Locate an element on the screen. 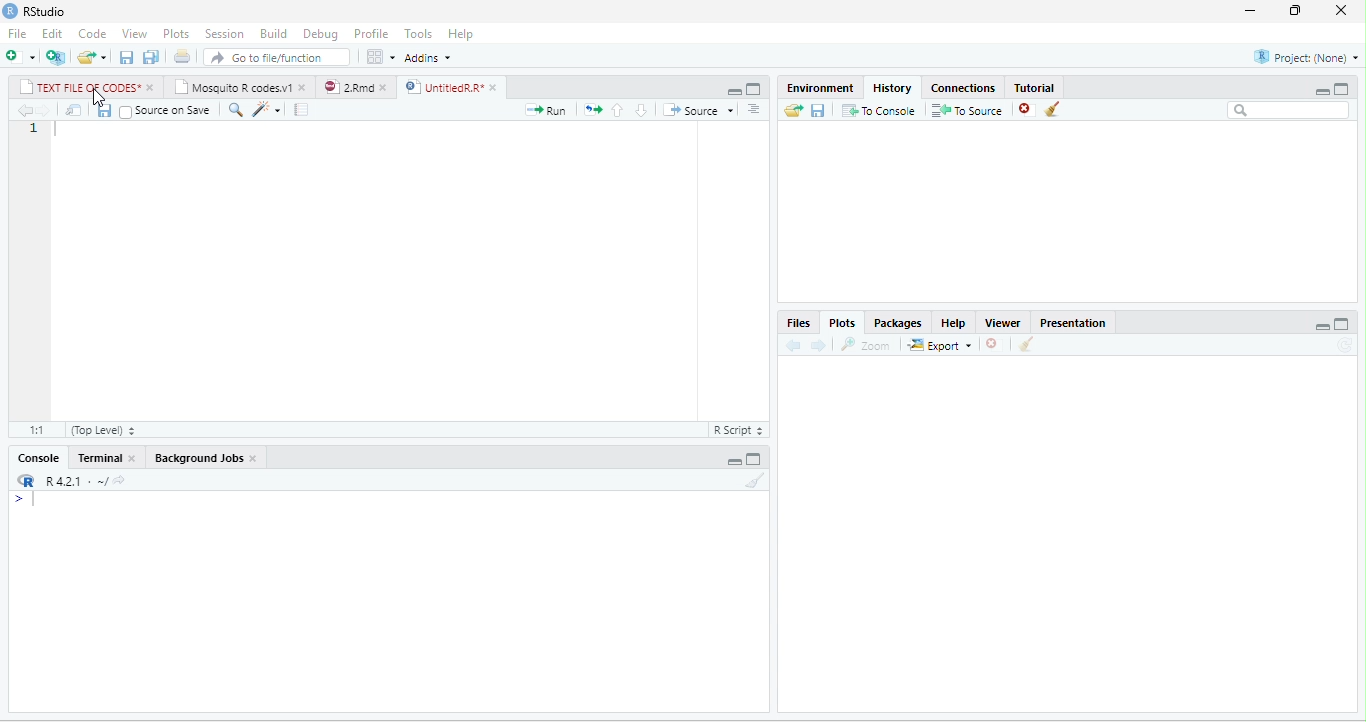 The height and width of the screenshot is (722, 1366). Run is located at coordinates (545, 110).